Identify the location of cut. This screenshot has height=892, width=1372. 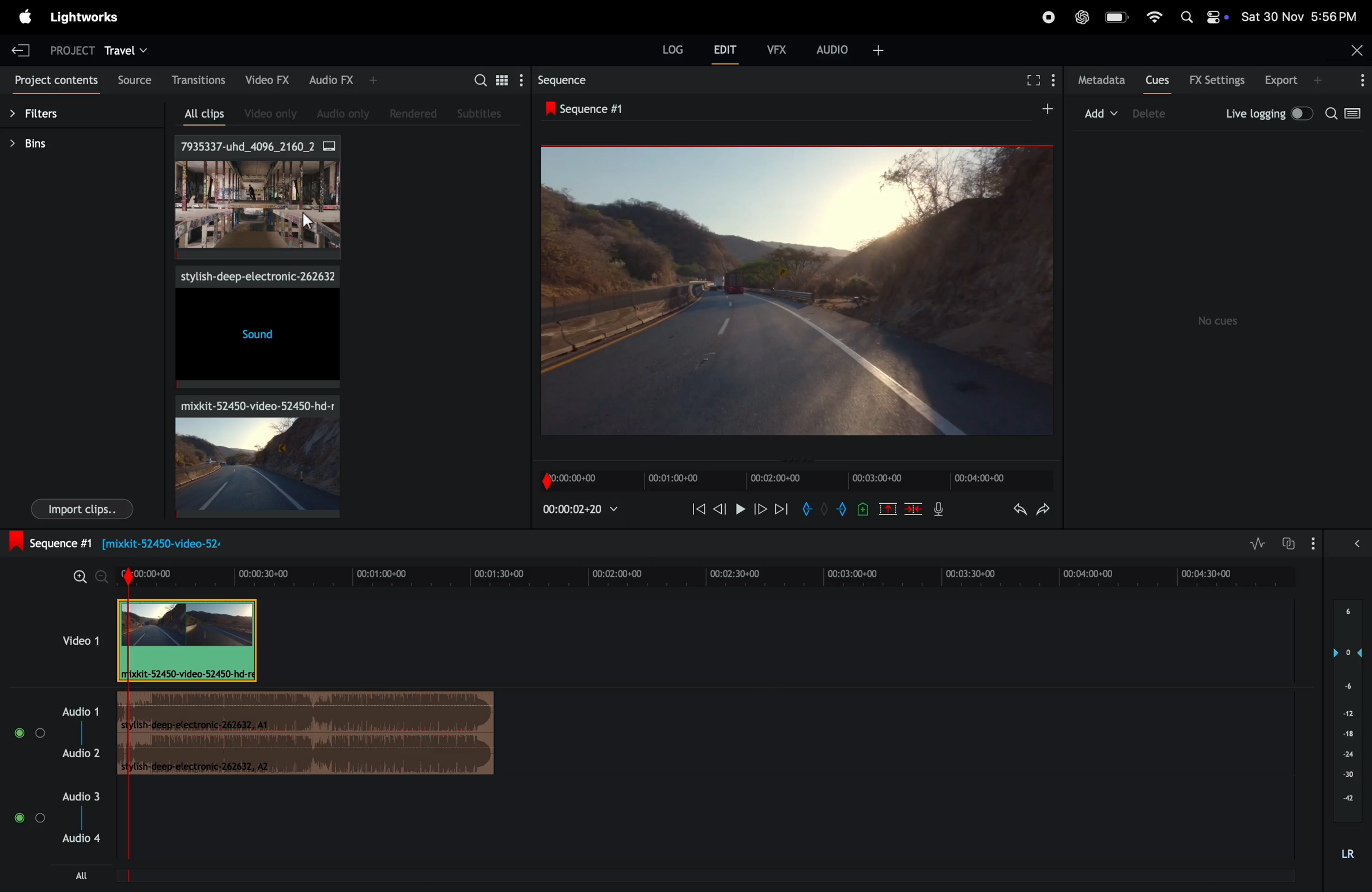
(887, 509).